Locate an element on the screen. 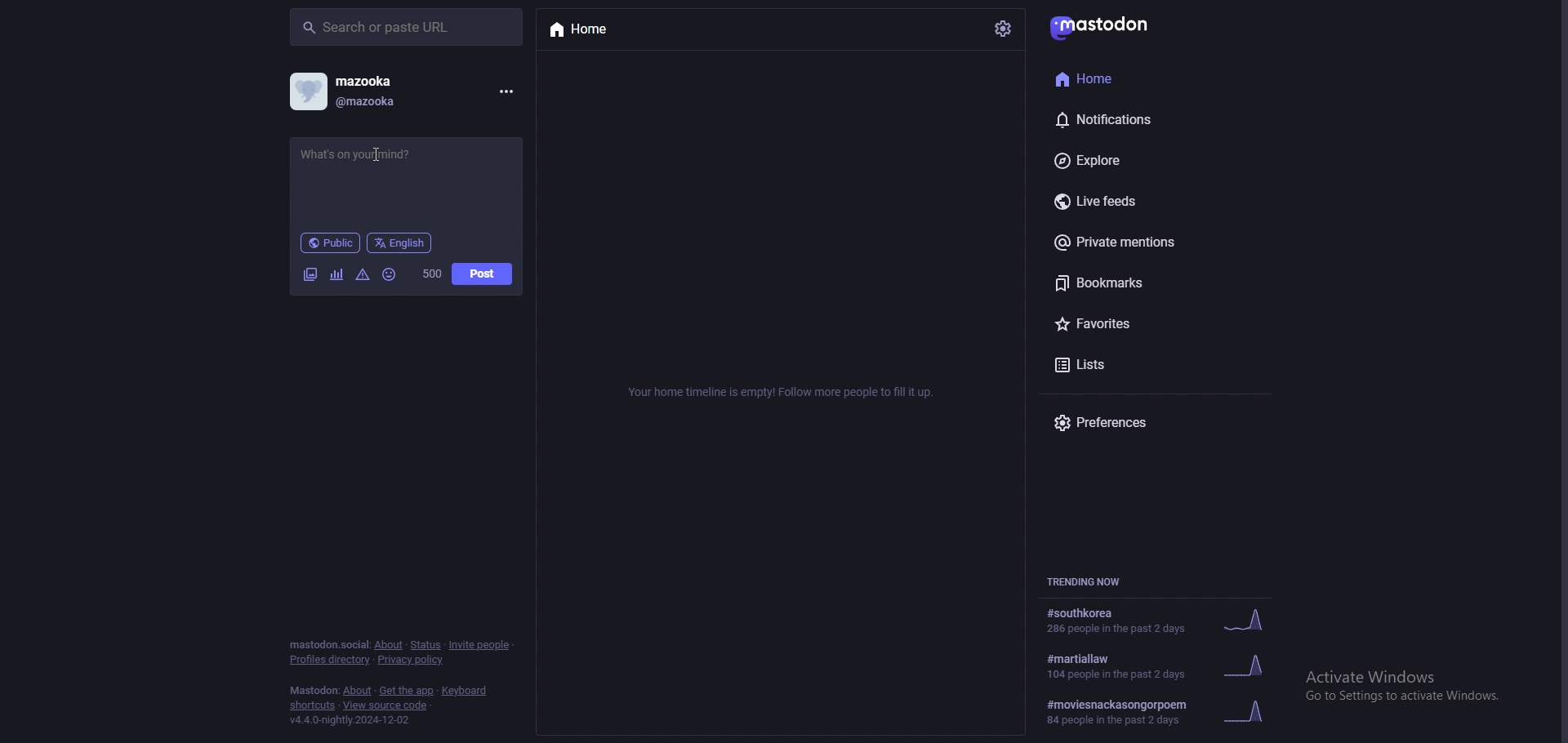  notifications is located at coordinates (1132, 117).